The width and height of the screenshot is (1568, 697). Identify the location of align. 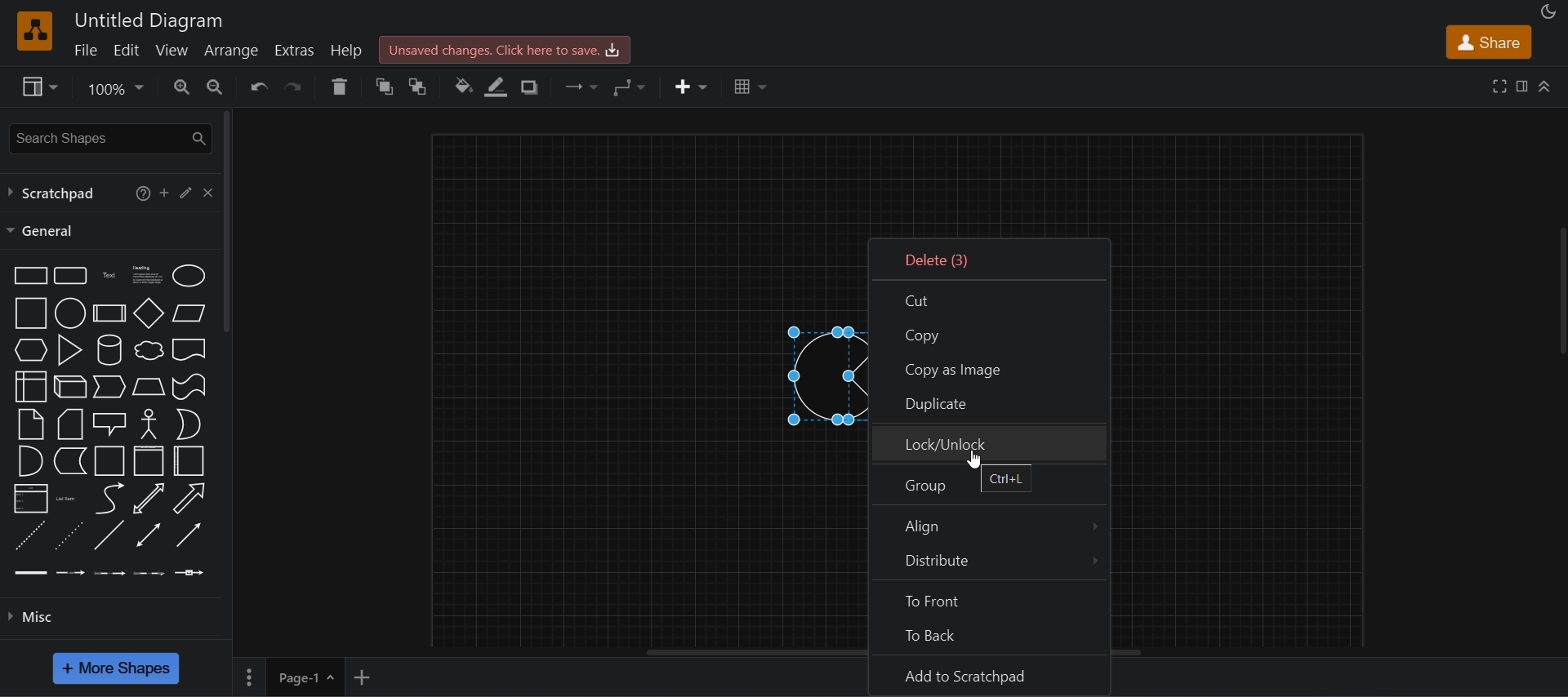
(985, 523).